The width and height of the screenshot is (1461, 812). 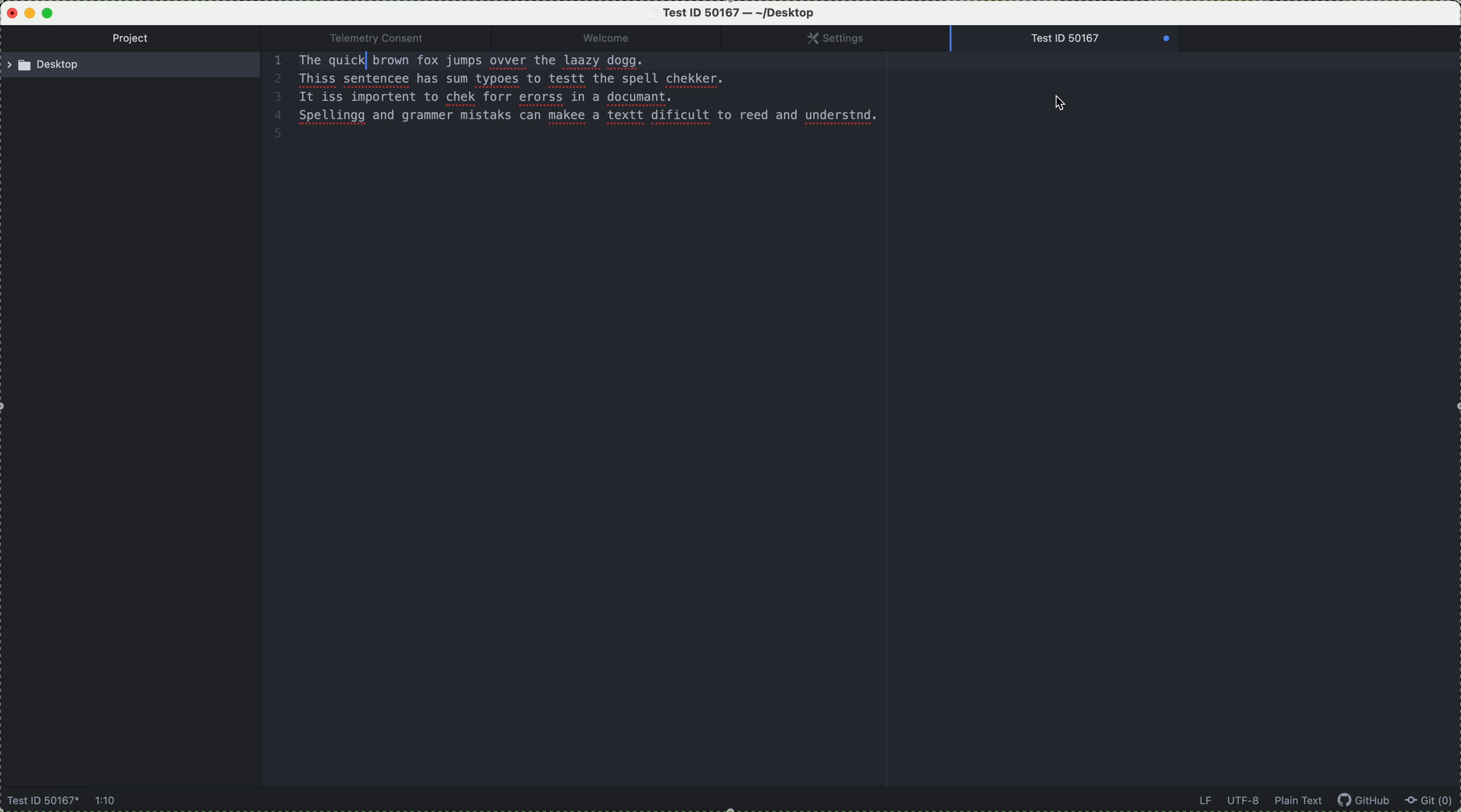 I want to click on Git (0), so click(x=1433, y=802).